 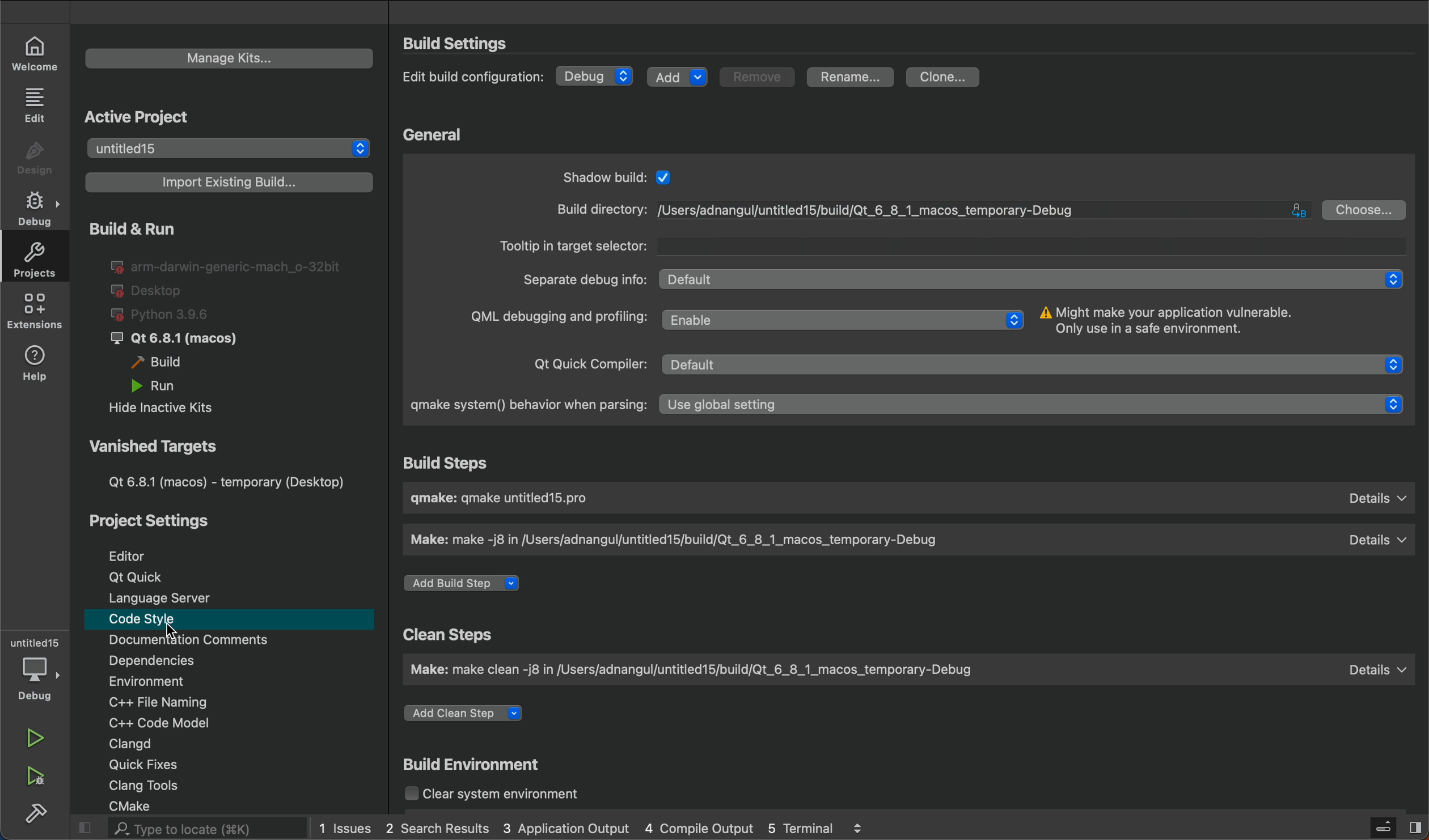 What do you see at coordinates (449, 463) in the screenshot?
I see `build steps` at bounding box center [449, 463].